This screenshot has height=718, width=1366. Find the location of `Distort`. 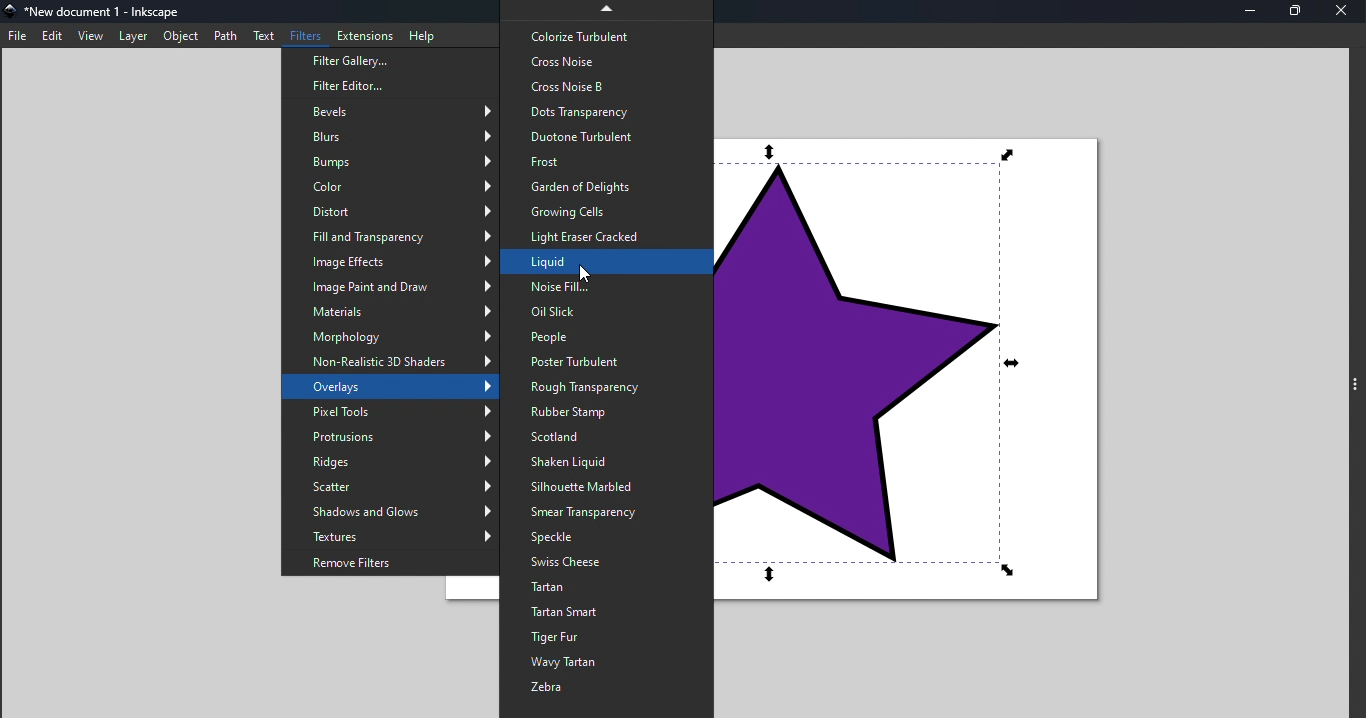

Distort is located at coordinates (394, 213).